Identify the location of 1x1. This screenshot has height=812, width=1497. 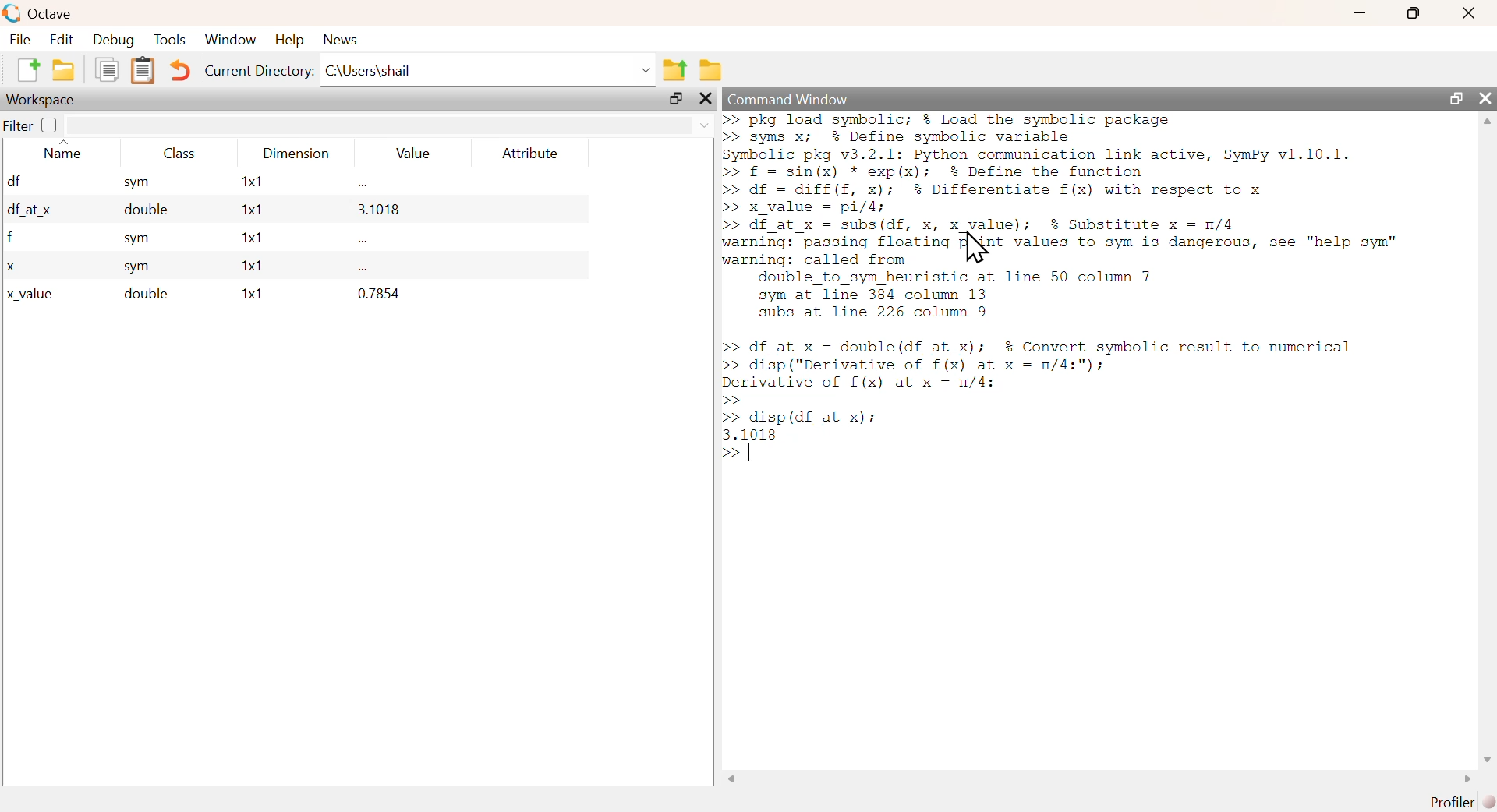
(253, 210).